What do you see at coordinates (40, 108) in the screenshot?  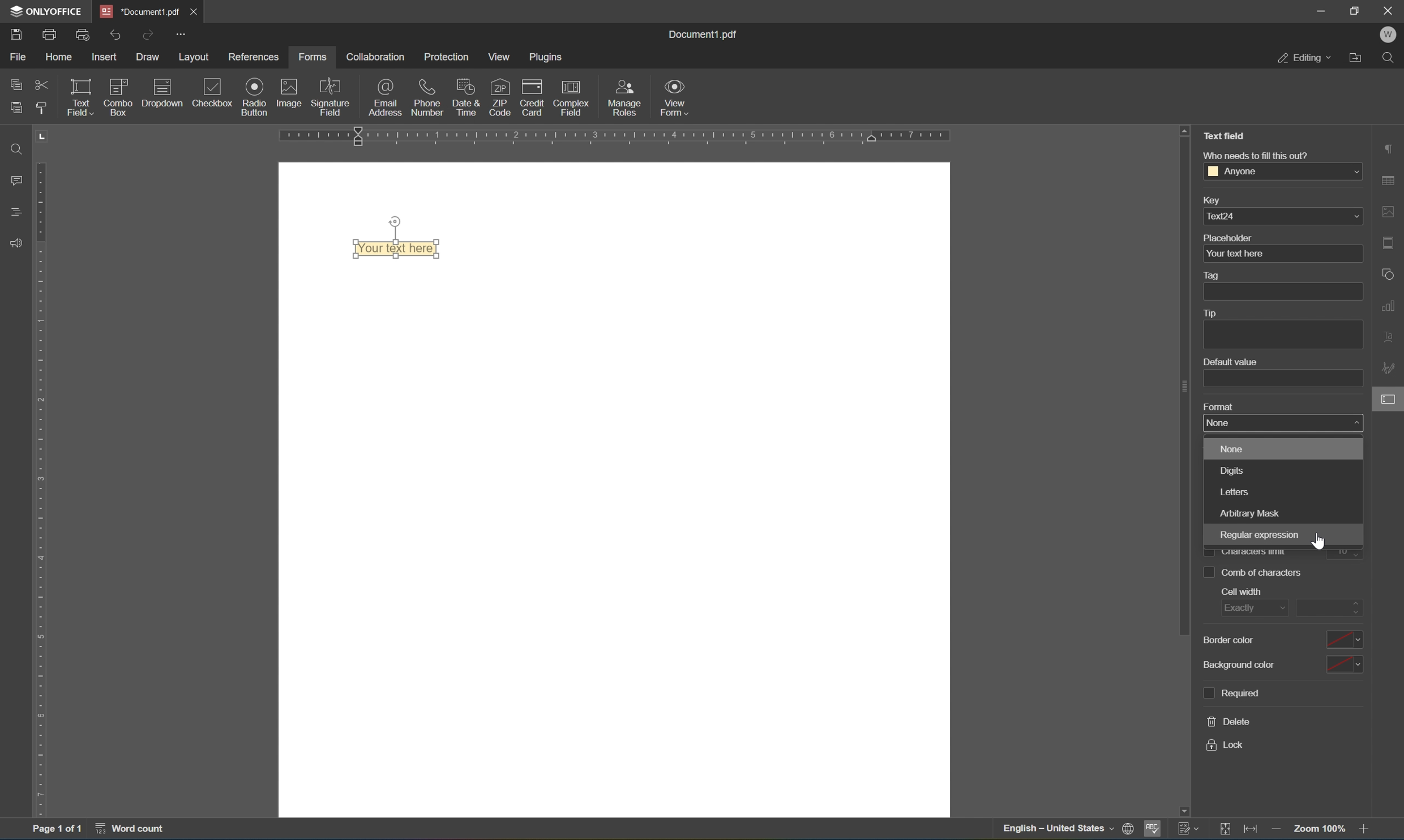 I see `copy style` at bounding box center [40, 108].